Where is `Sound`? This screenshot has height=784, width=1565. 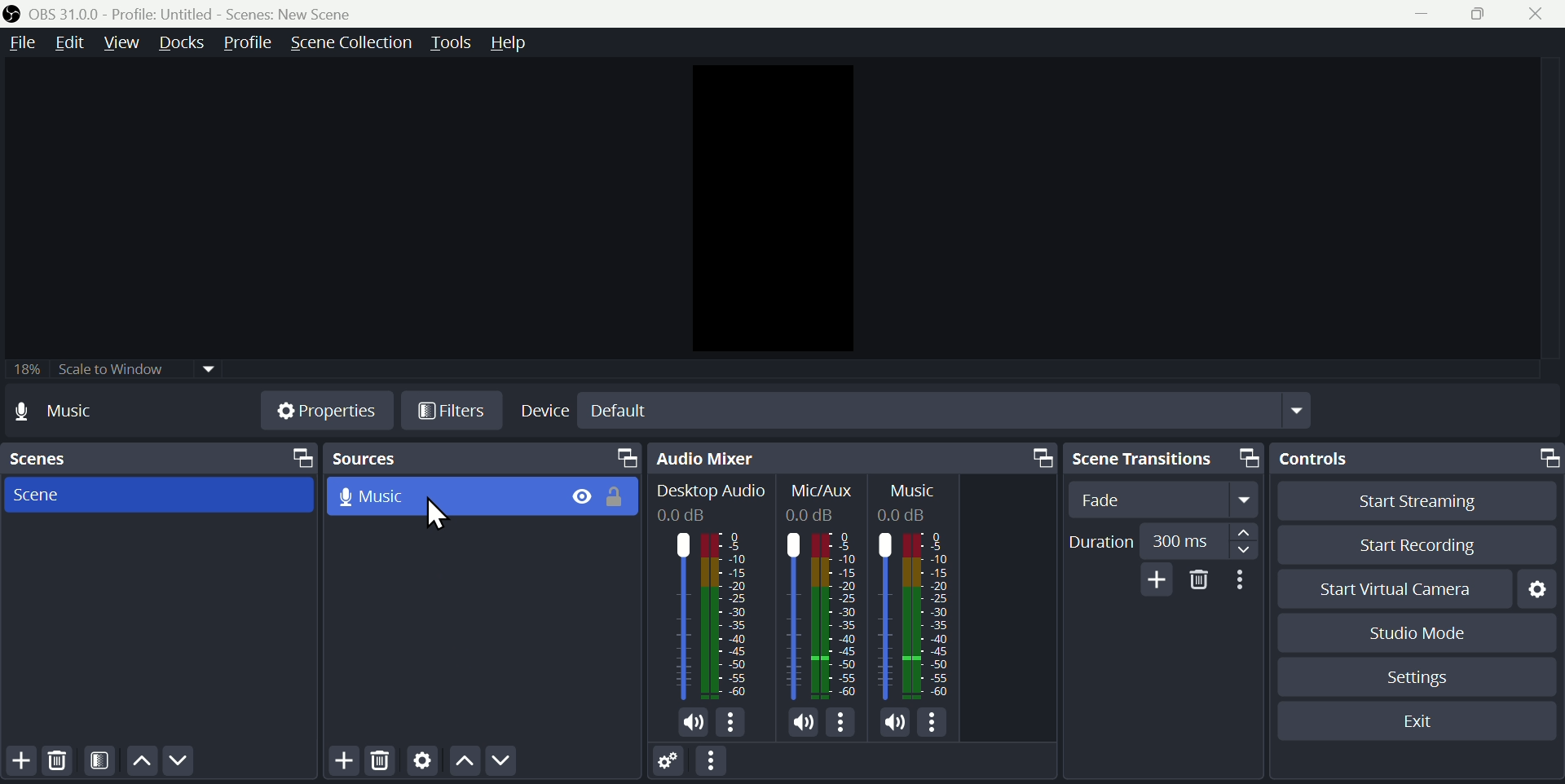 Sound is located at coordinates (895, 721).